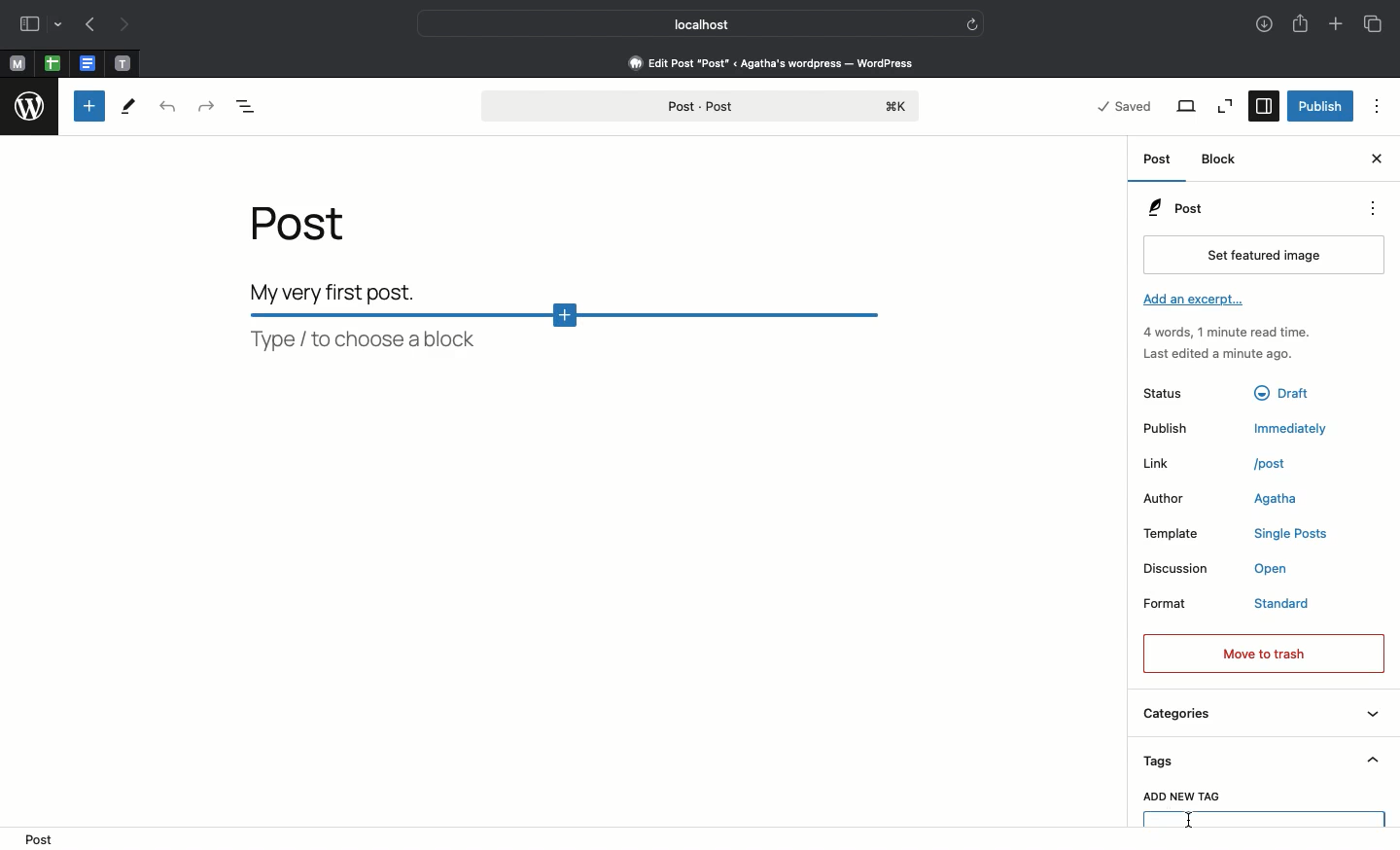 The image size is (1400, 850). What do you see at coordinates (1266, 653) in the screenshot?
I see `Move to trash` at bounding box center [1266, 653].